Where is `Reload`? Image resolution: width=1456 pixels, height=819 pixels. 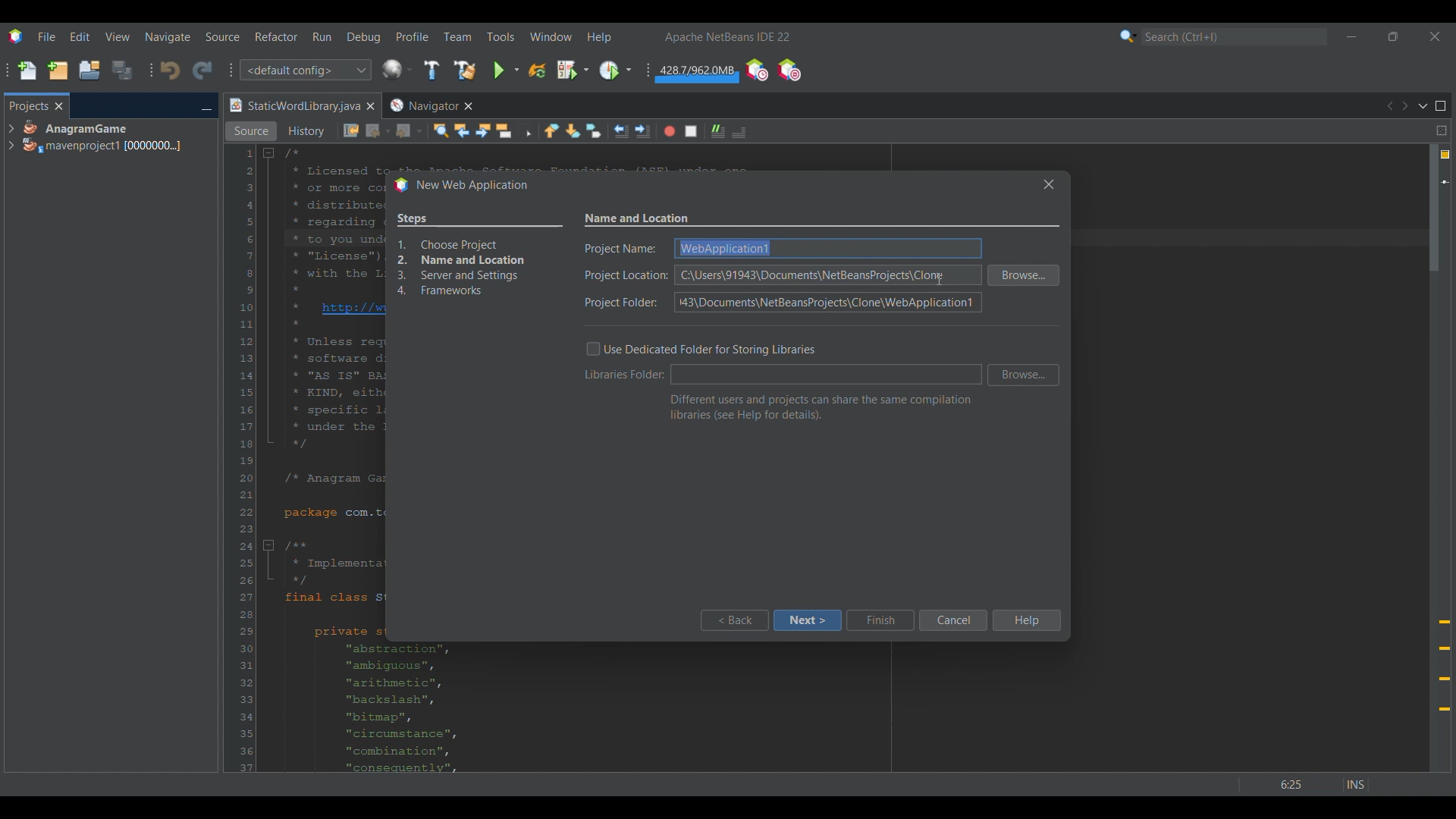 Reload is located at coordinates (537, 71).